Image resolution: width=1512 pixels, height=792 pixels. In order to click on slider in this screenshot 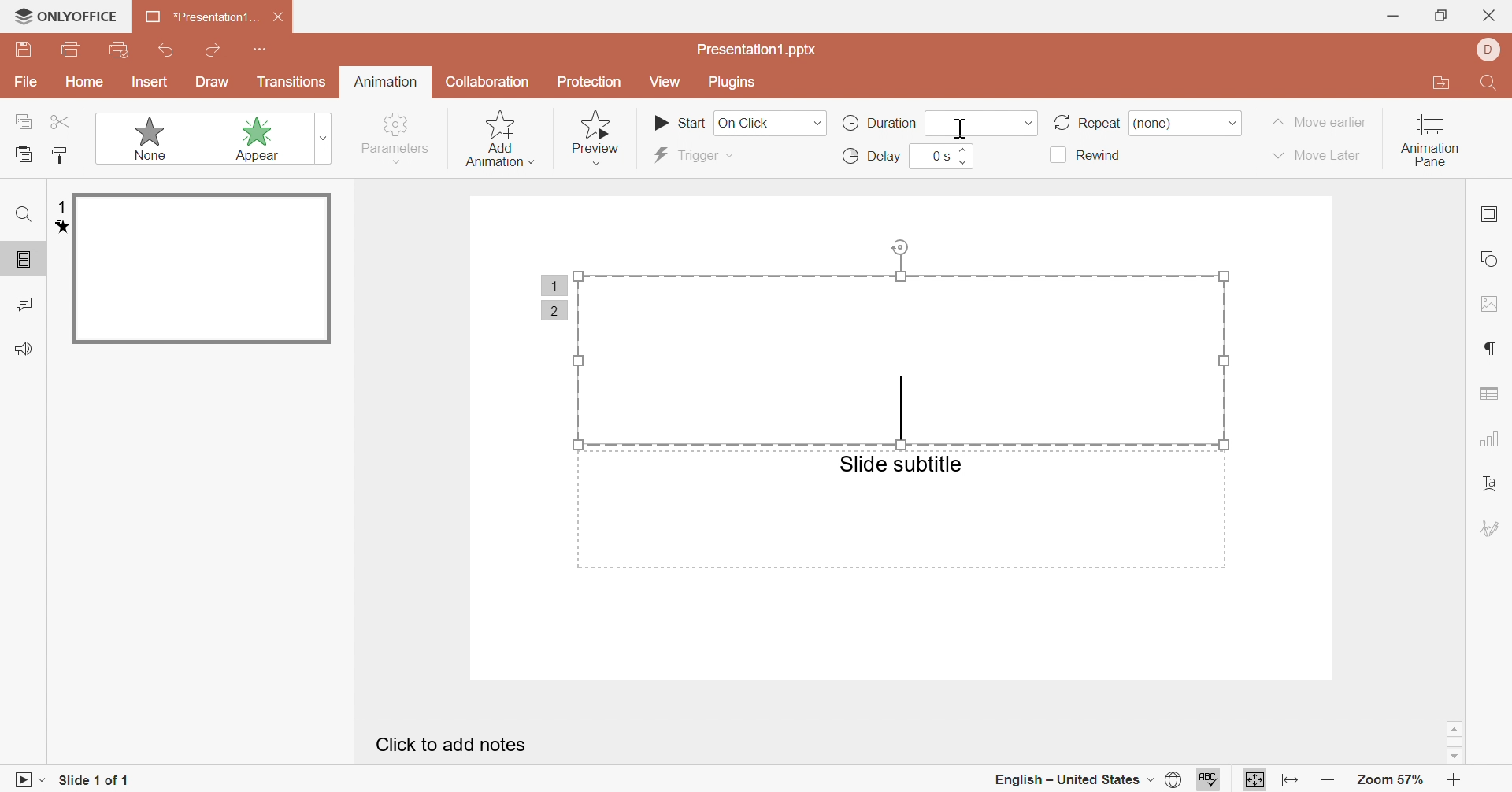, I will do `click(965, 156)`.